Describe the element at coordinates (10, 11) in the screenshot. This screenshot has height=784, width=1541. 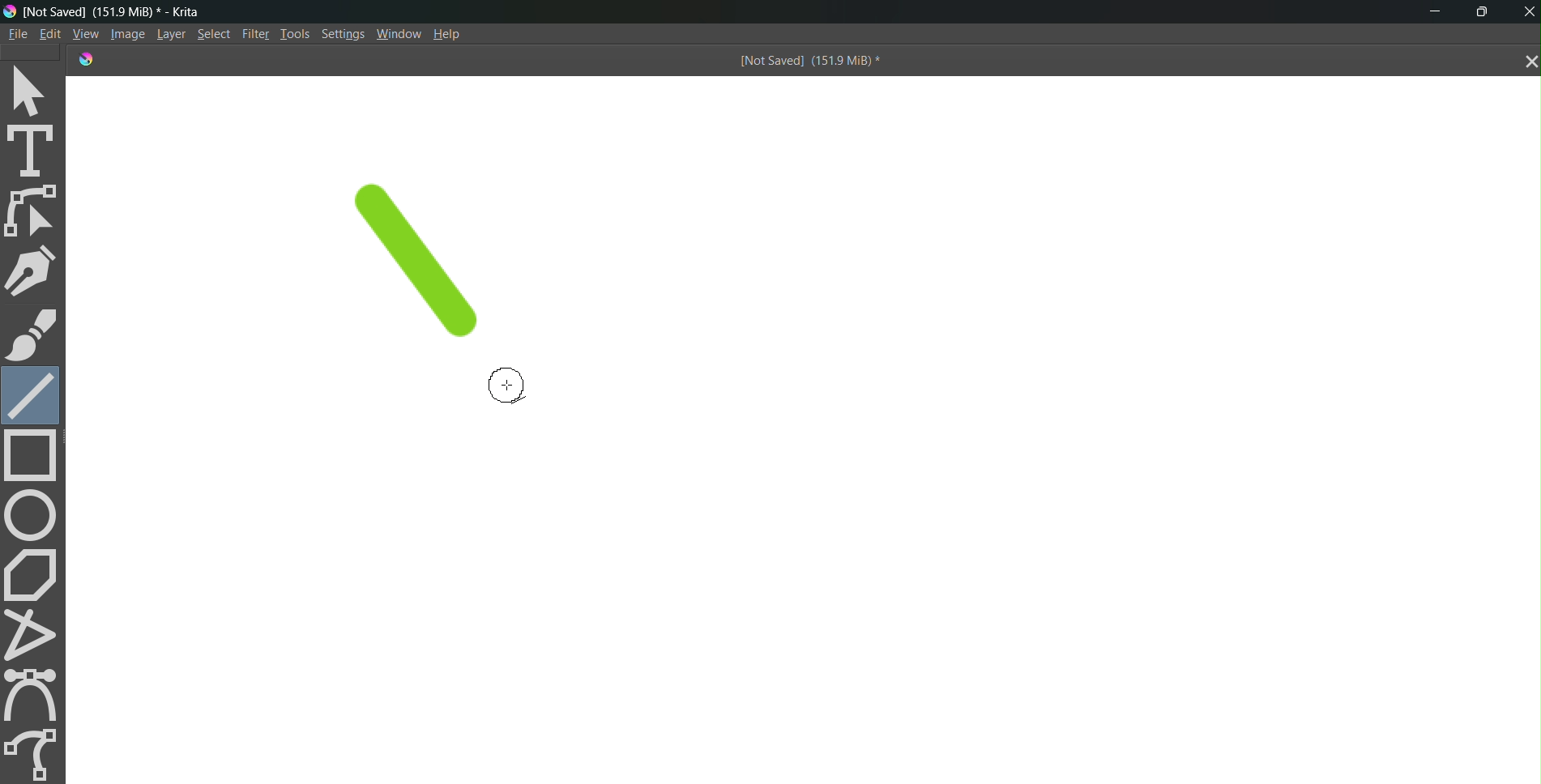
I see `logo` at that location.